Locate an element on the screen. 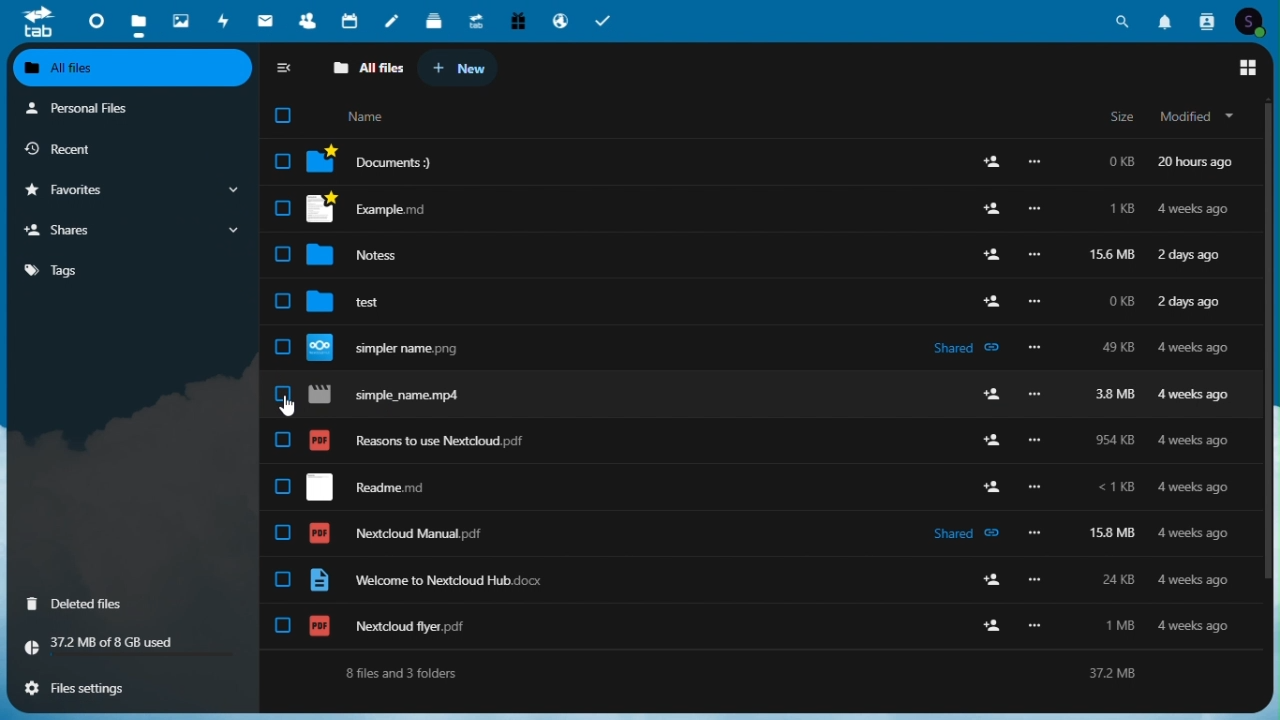 Image resolution: width=1280 pixels, height=720 pixels. Contacts is located at coordinates (1205, 21).